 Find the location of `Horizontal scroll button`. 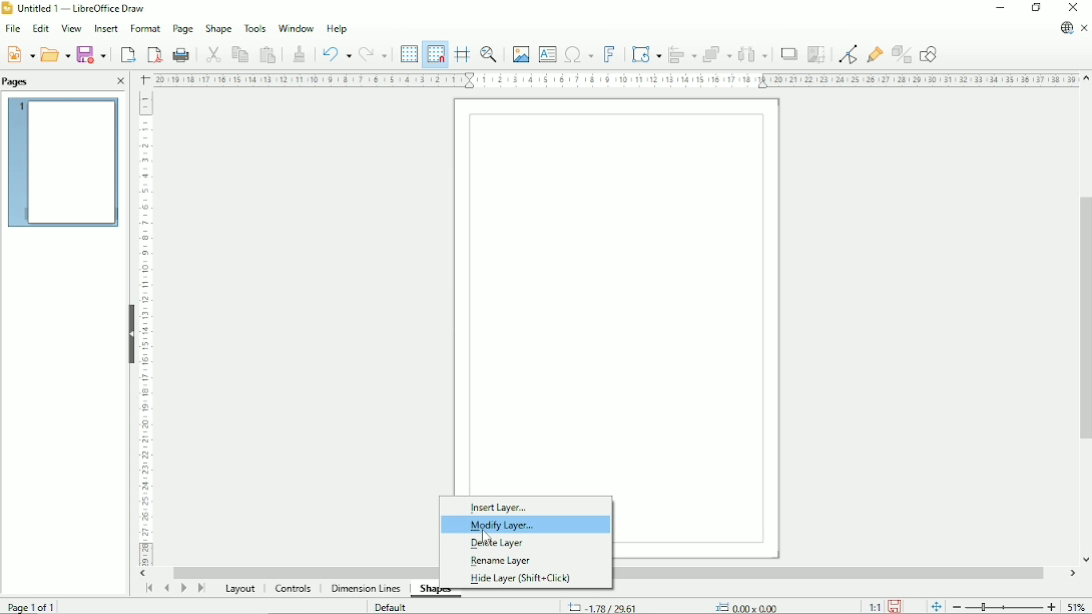

Horizontal scroll button is located at coordinates (1072, 573).